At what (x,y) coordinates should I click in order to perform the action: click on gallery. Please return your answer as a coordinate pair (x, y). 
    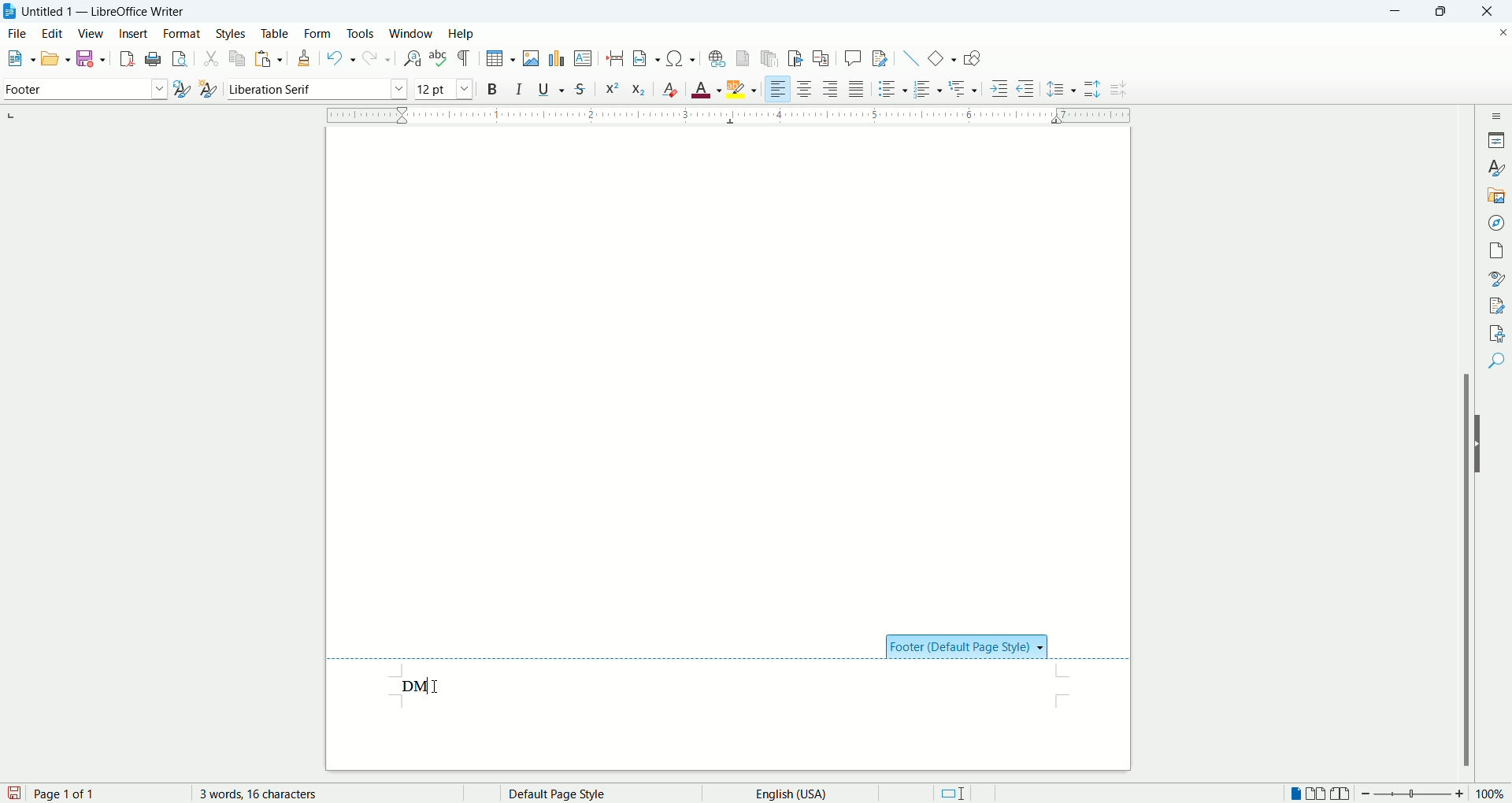
    Looking at the image, I should click on (1497, 194).